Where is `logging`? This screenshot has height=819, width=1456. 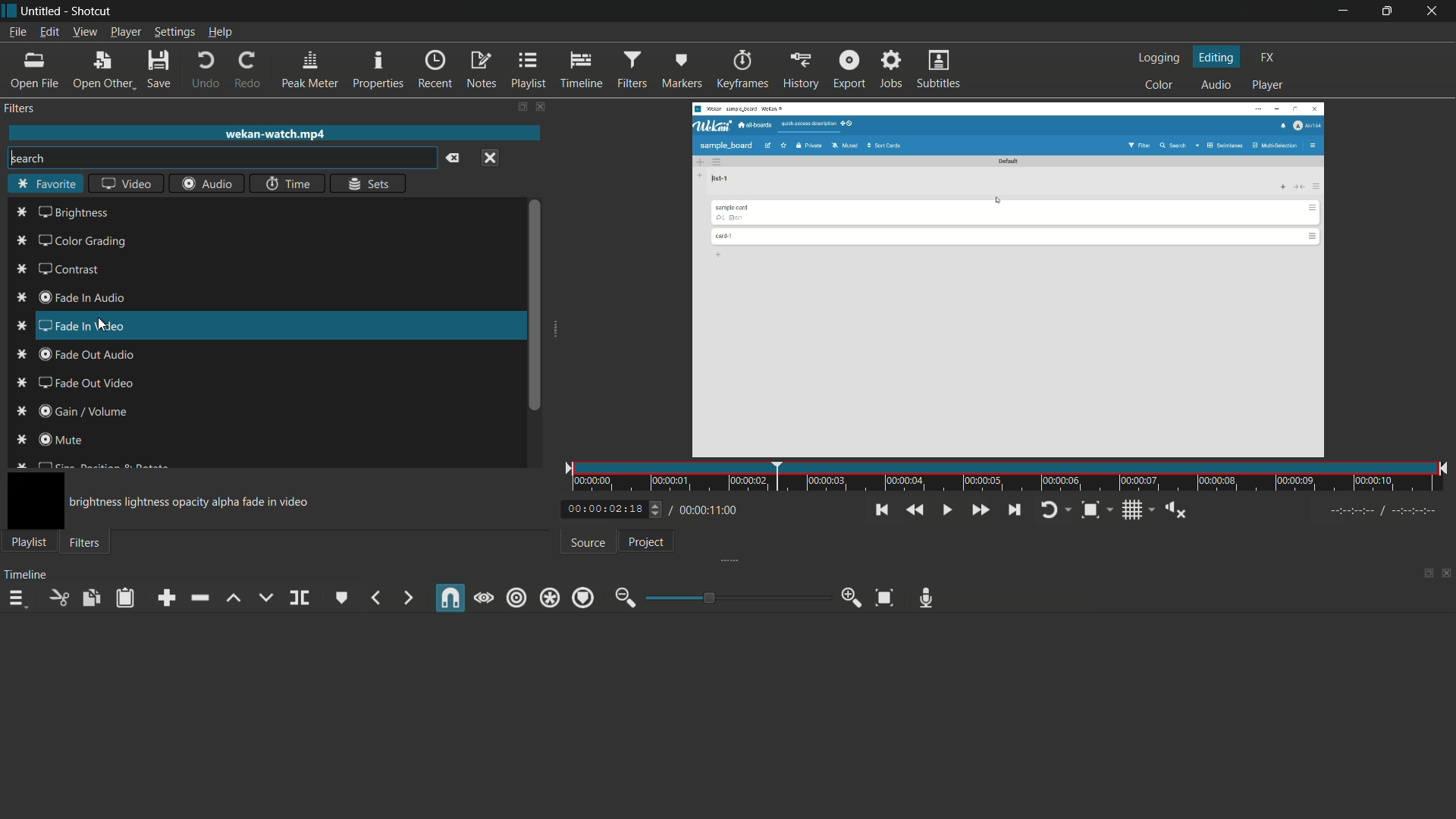
logging is located at coordinates (1162, 58).